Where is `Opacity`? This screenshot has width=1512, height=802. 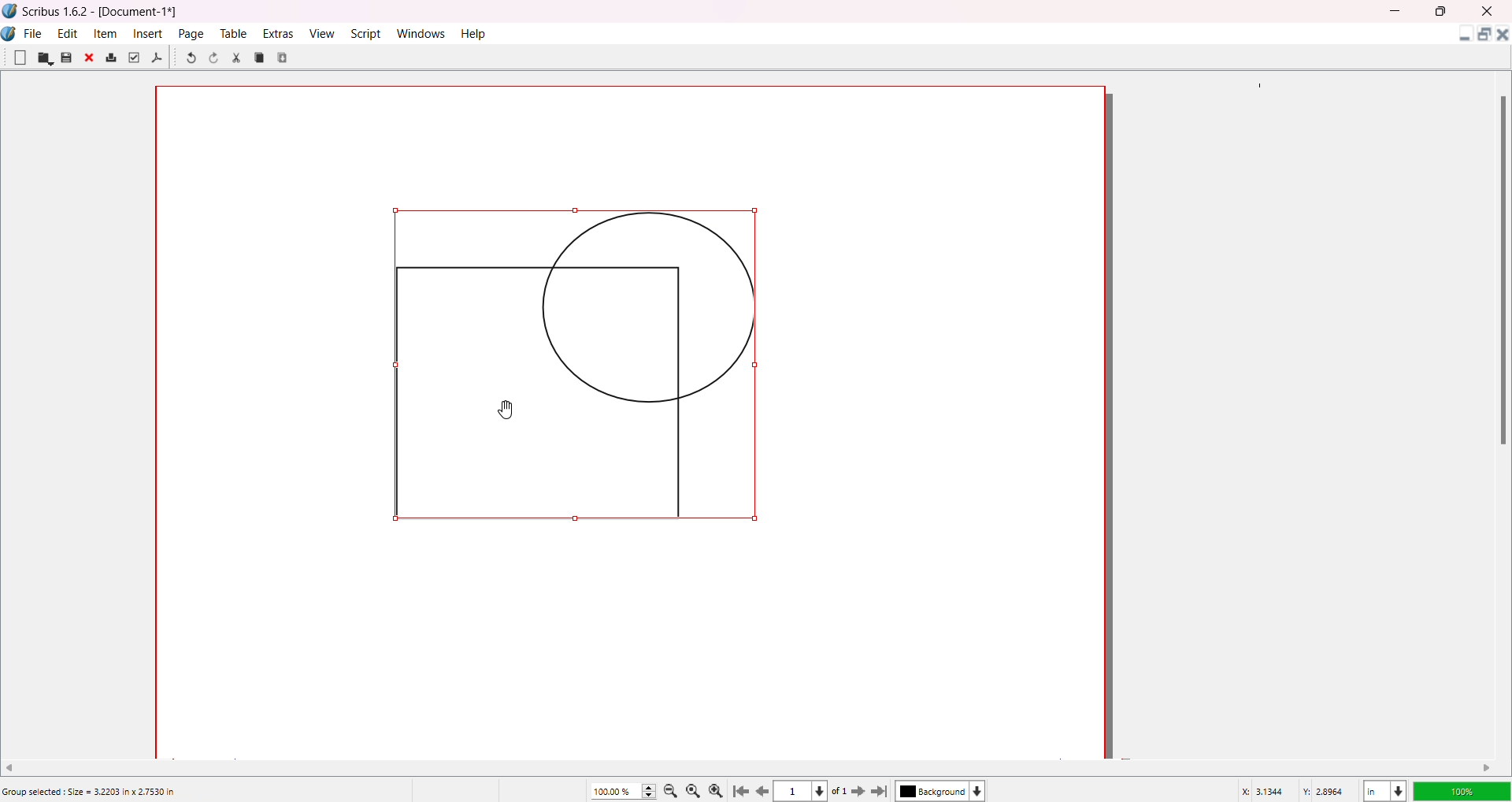
Opacity is located at coordinates (1461, 789).